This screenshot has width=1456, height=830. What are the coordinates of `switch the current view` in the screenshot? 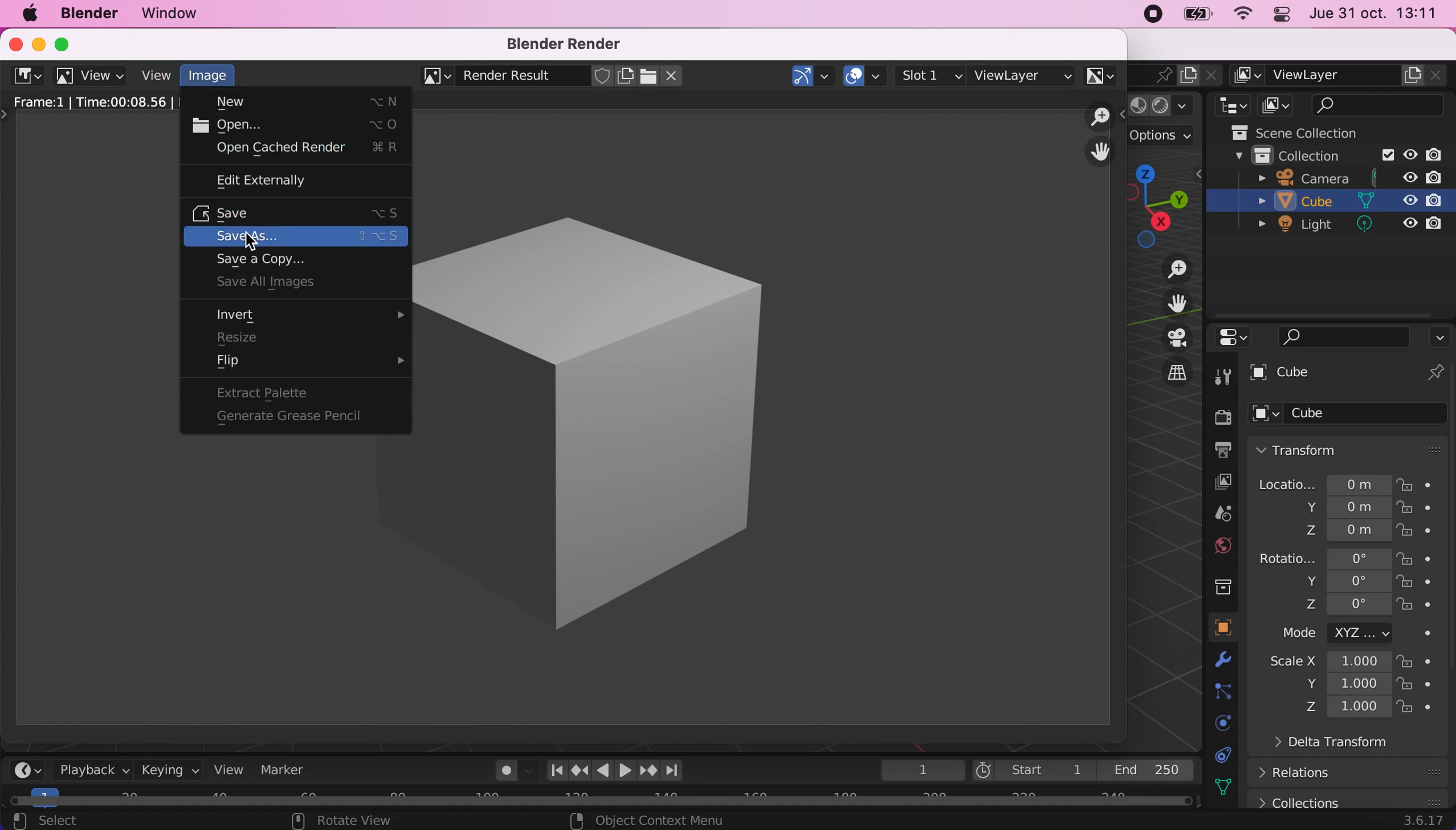 It's located at (1166, 372).